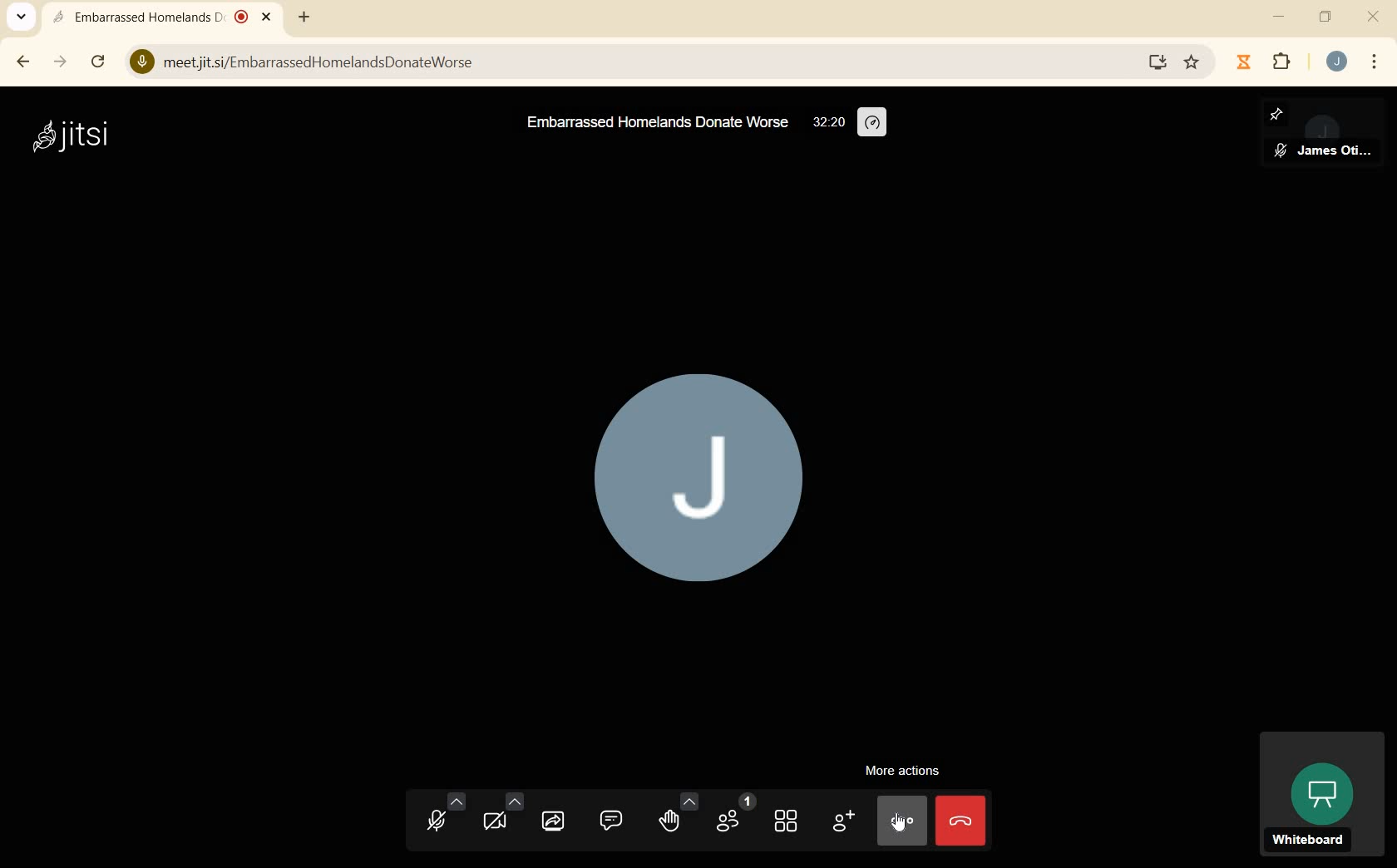 This screenshot has width=1397, height=868. I want to click on scrollbar, so click(100, 63).